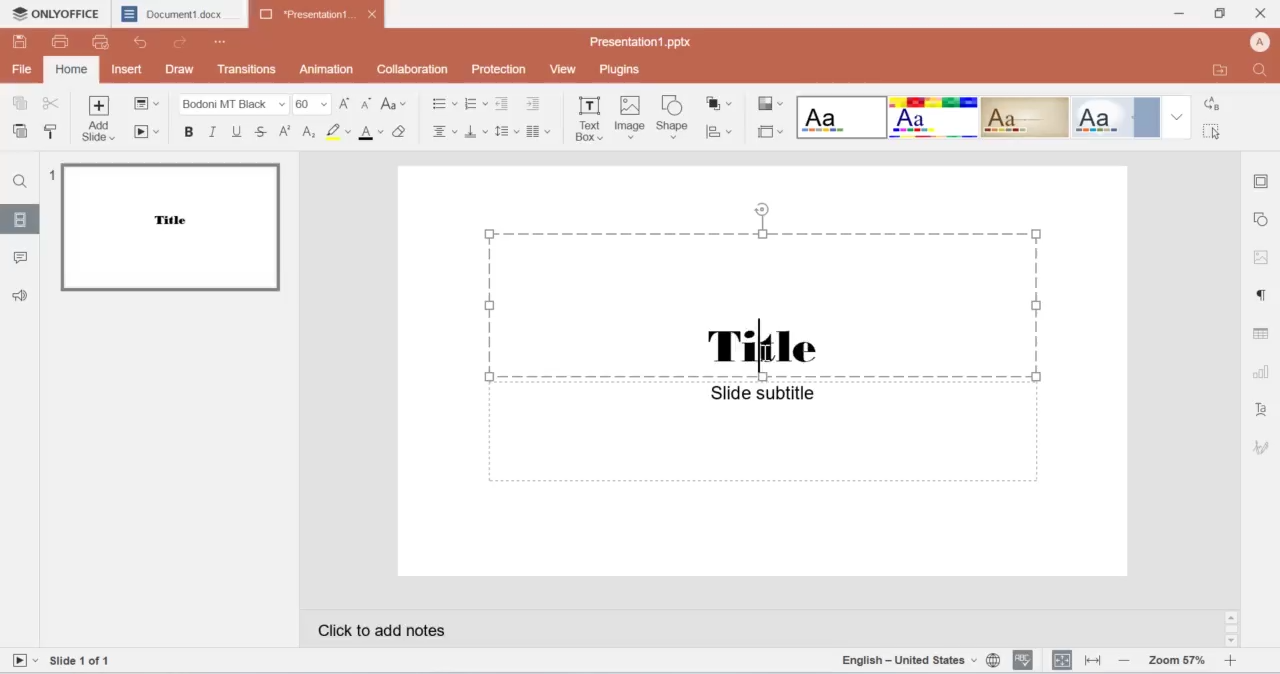 This screenshot has width=1280, height=674. Describe the element at coordinates (1231, 661) in the screenshot. I see `increase` at that location.